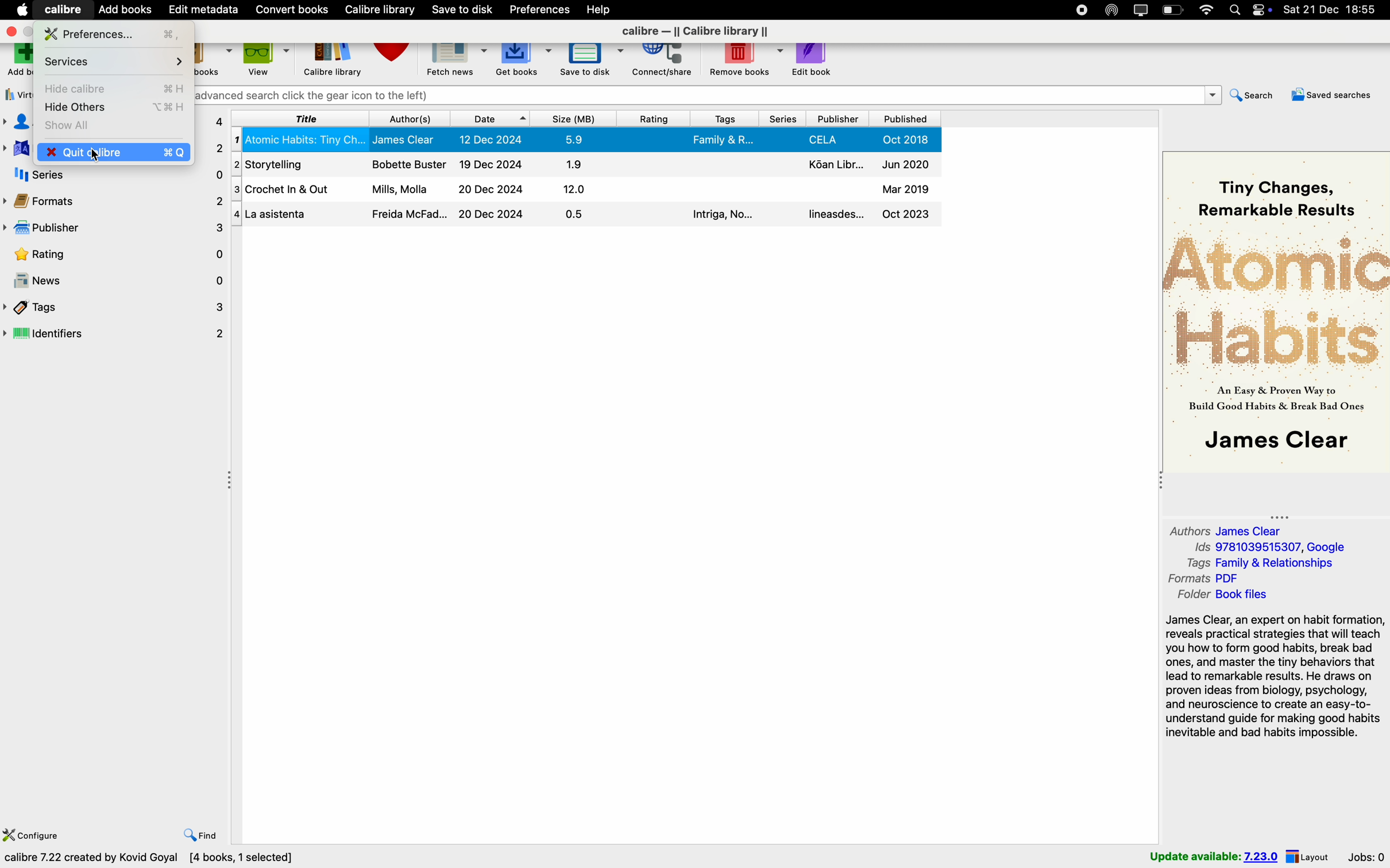 Image resolution: width=1390 pixels, height=868 pixels. I want to click on James Clear, an expert on habit formation reveals practical strategies that will teach you how to form good habits, break bad ones, and master the tiny behaviors that lead to remarkable results..., so click(1273, 679).